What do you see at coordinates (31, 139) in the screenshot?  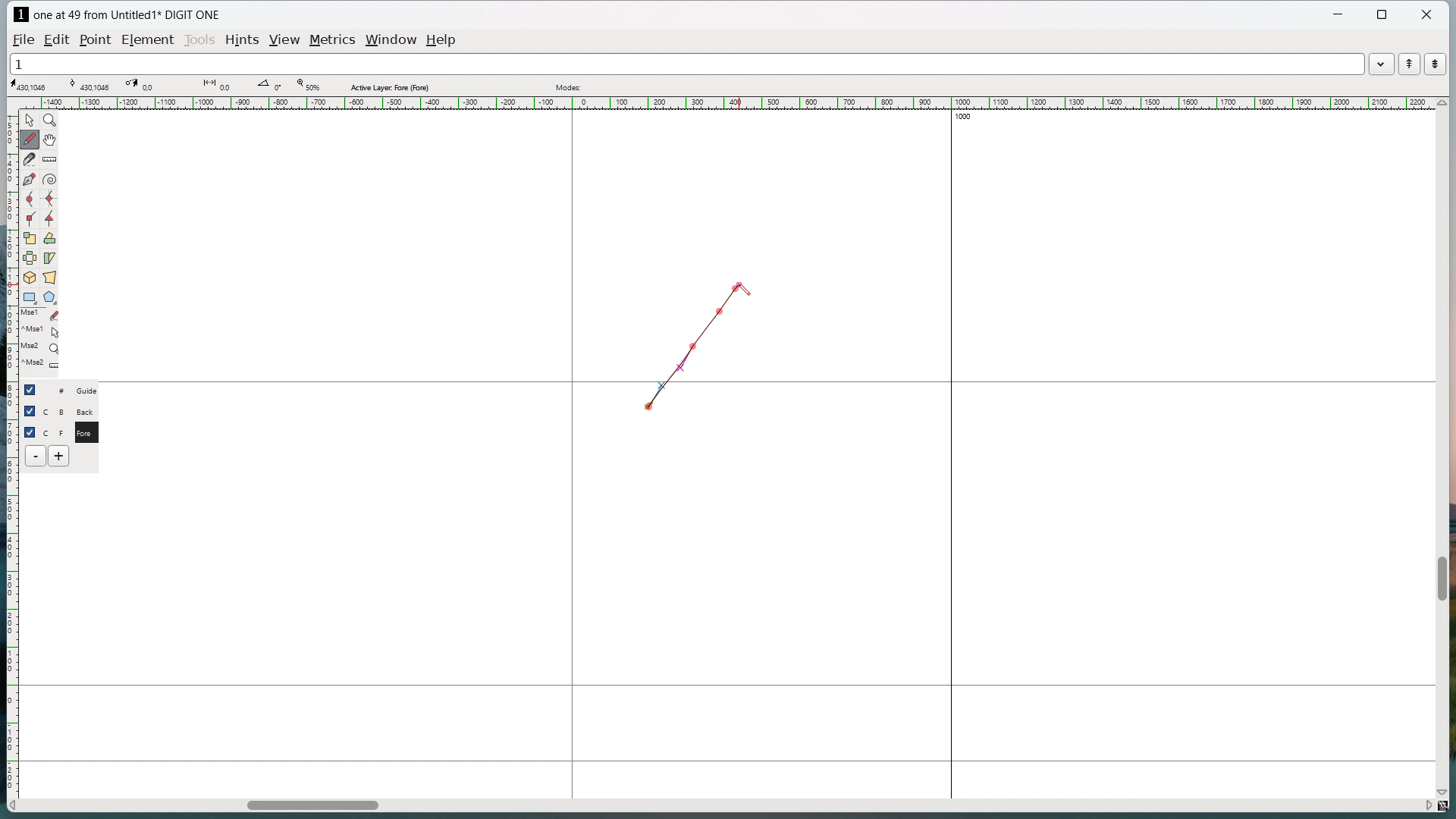 I see `draw freehand curve ` at bounding box center [31, 139].